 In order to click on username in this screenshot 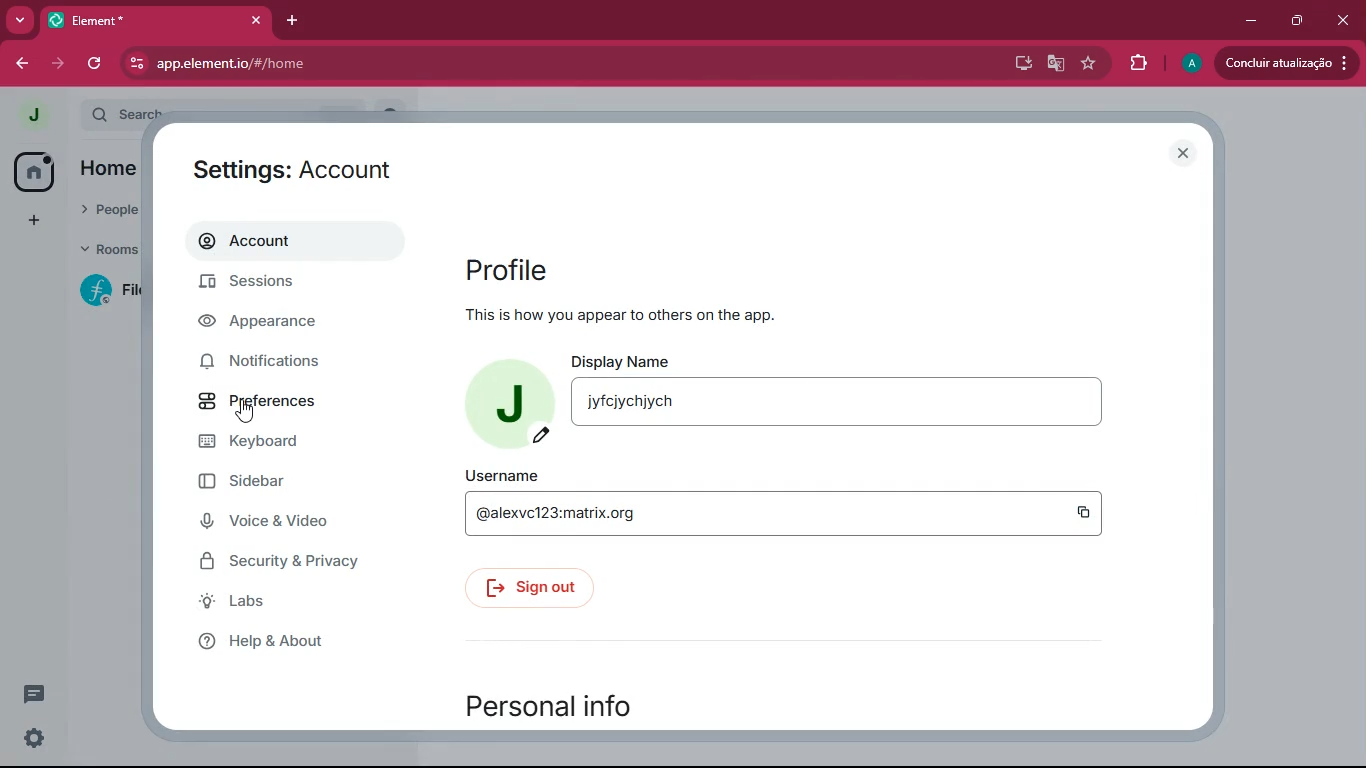, I will do `click(506, 475)`.